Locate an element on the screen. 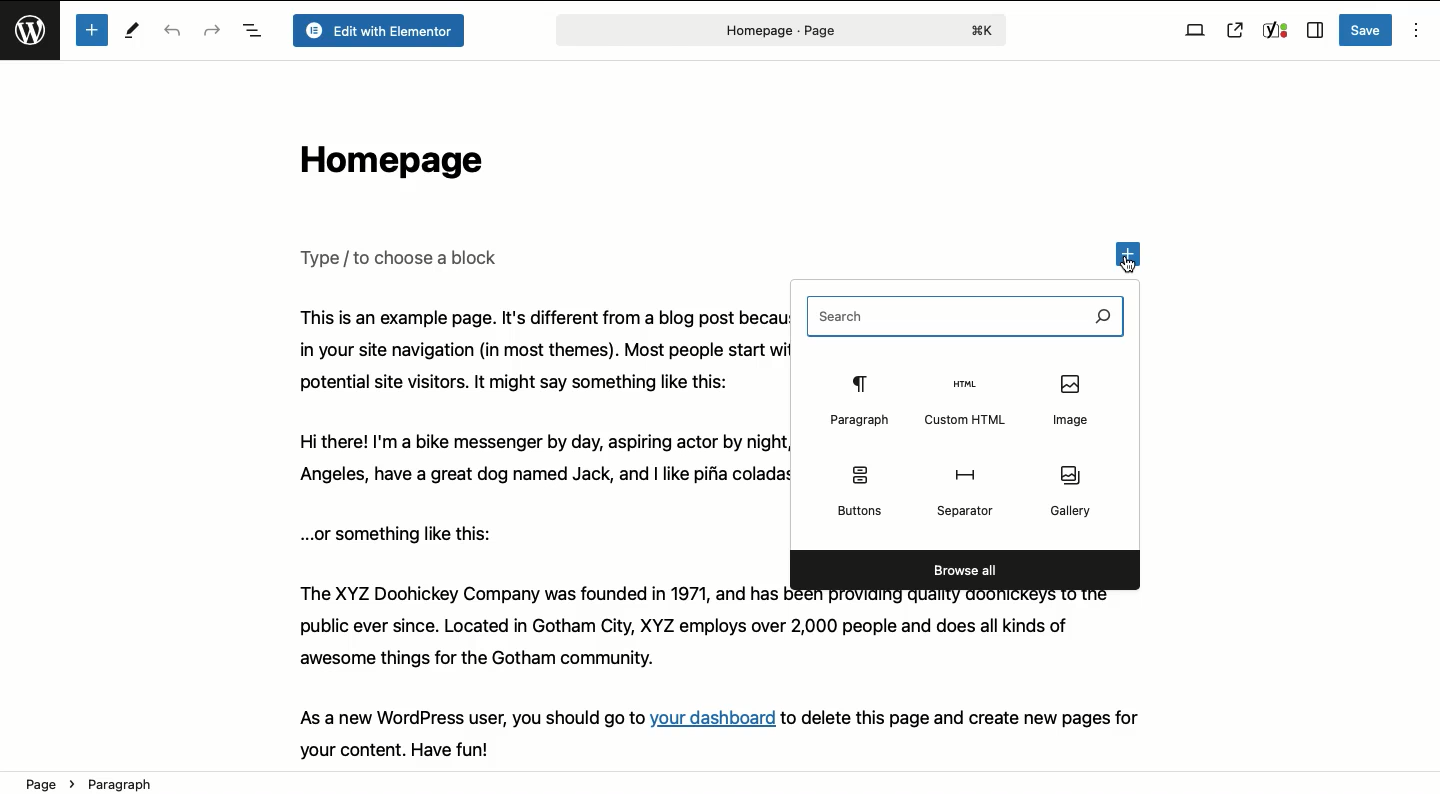 Image resolution: width=1440 pixels, height=794 pixels. Document overview is located at coordinates (252, 32).